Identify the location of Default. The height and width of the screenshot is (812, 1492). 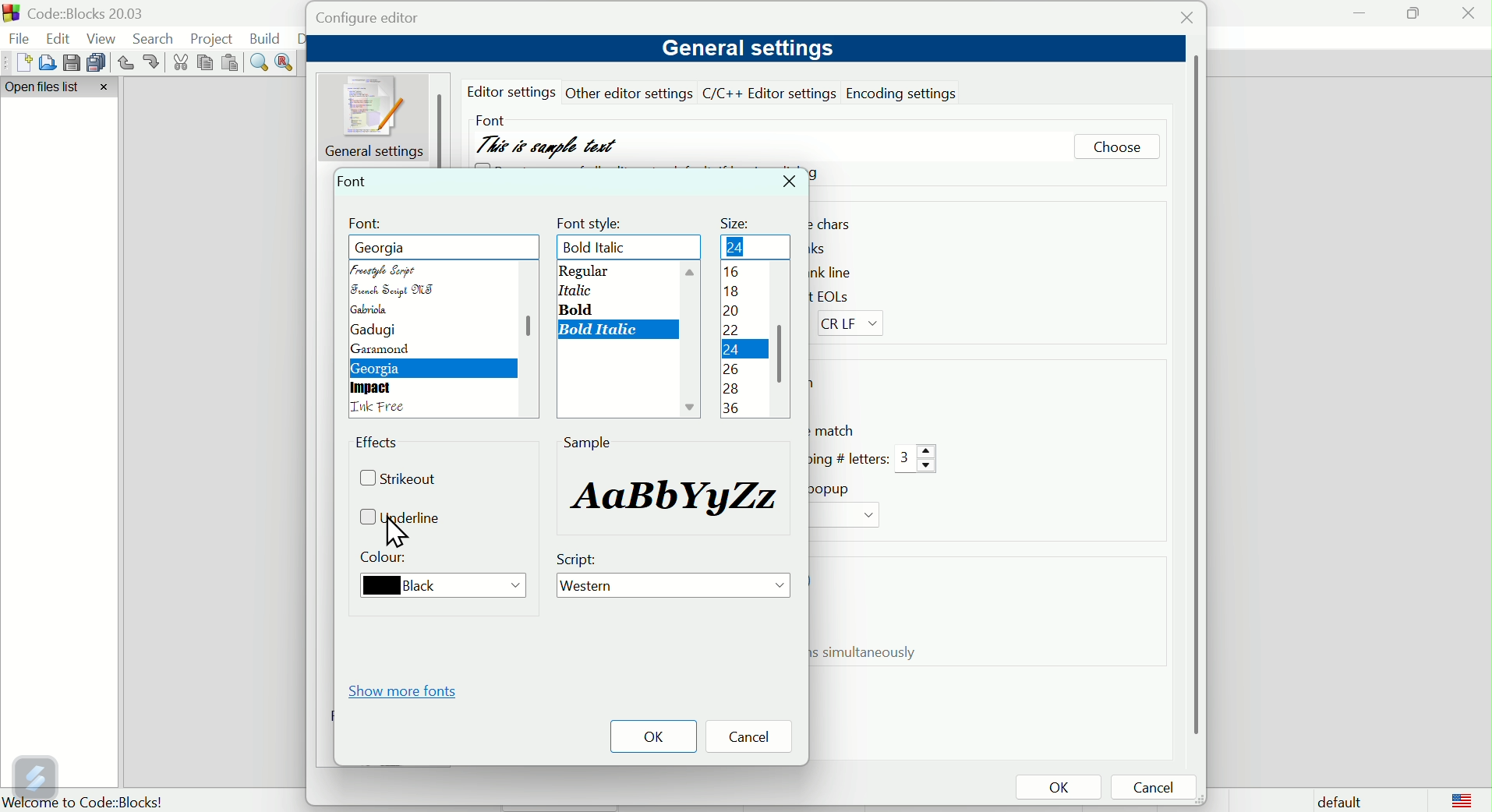
(1336, 800).